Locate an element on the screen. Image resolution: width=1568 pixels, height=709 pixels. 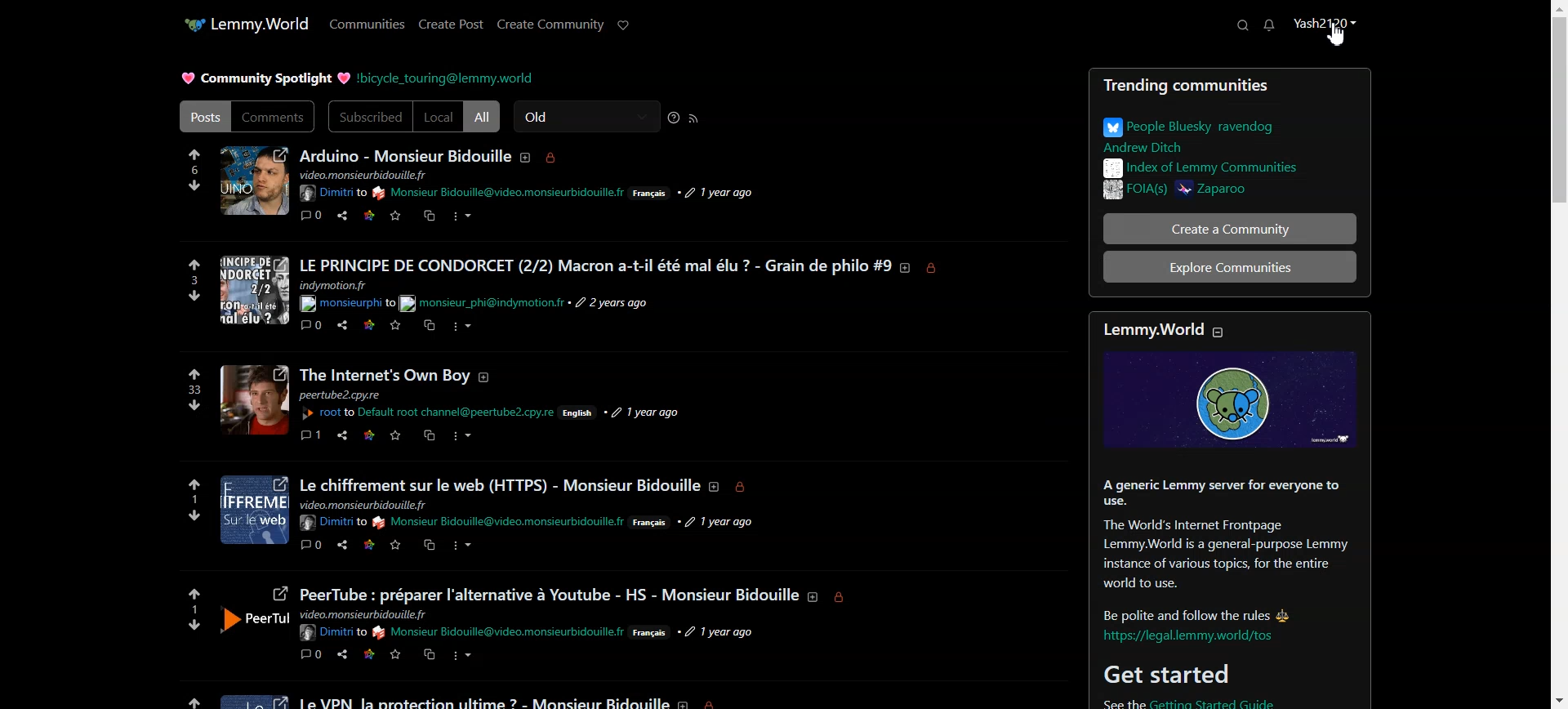
 is located at coordinates (331, 522).